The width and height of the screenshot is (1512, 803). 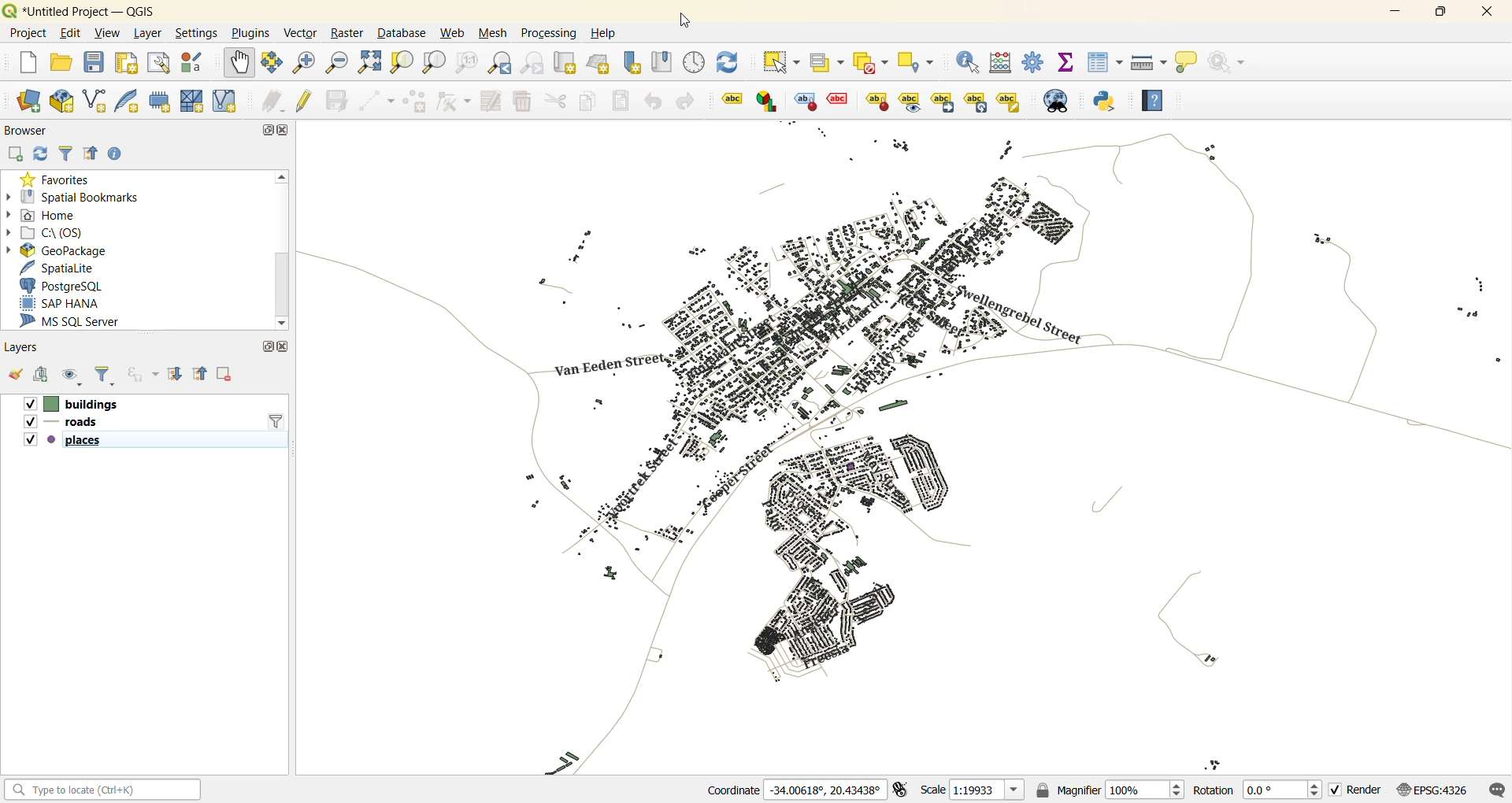 I want to click on spatial bookmarks, so click(x=74, y=197).